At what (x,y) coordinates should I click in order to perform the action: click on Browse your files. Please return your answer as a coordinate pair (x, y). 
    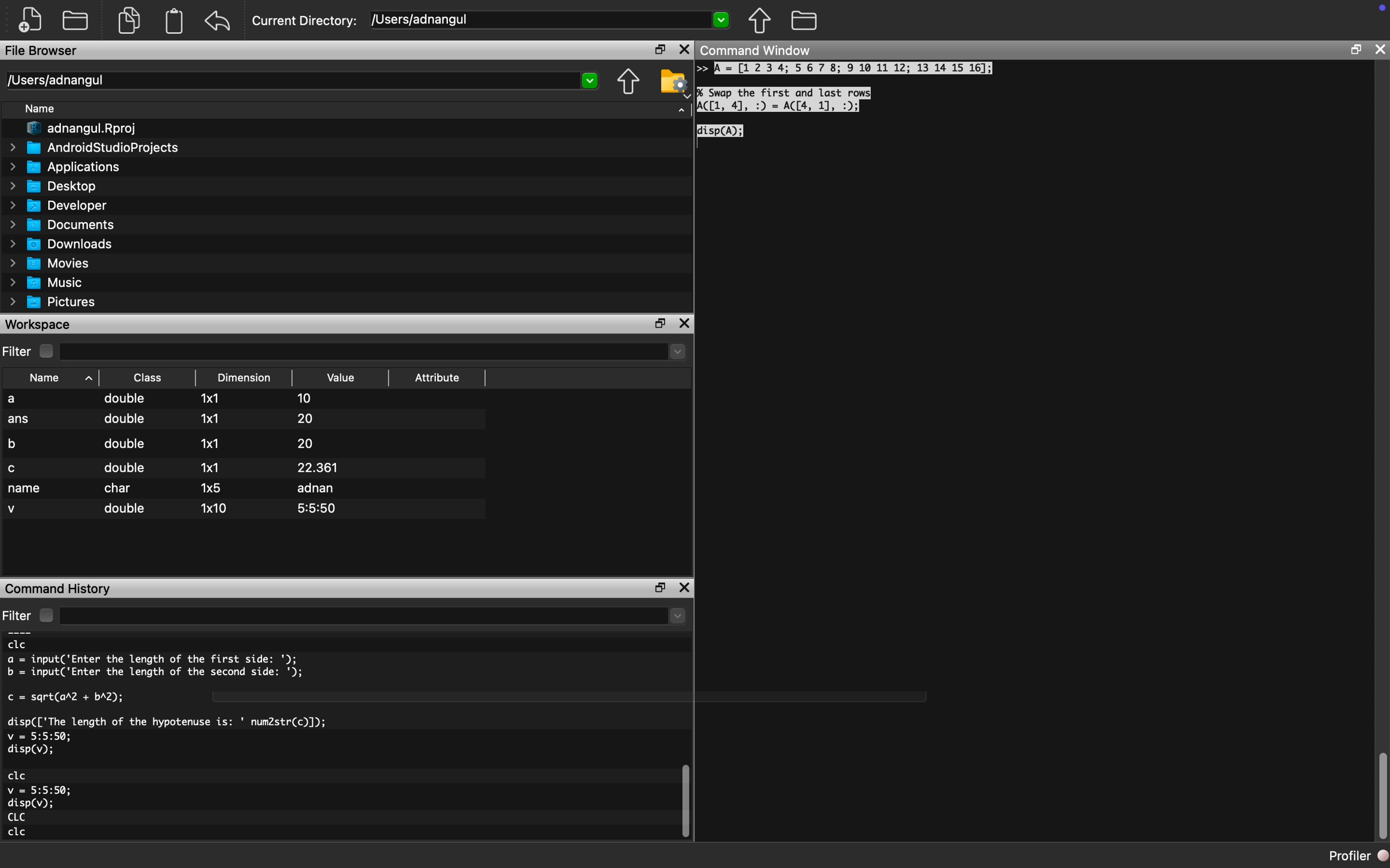
    Looking at the image, I should click on (804, 22).